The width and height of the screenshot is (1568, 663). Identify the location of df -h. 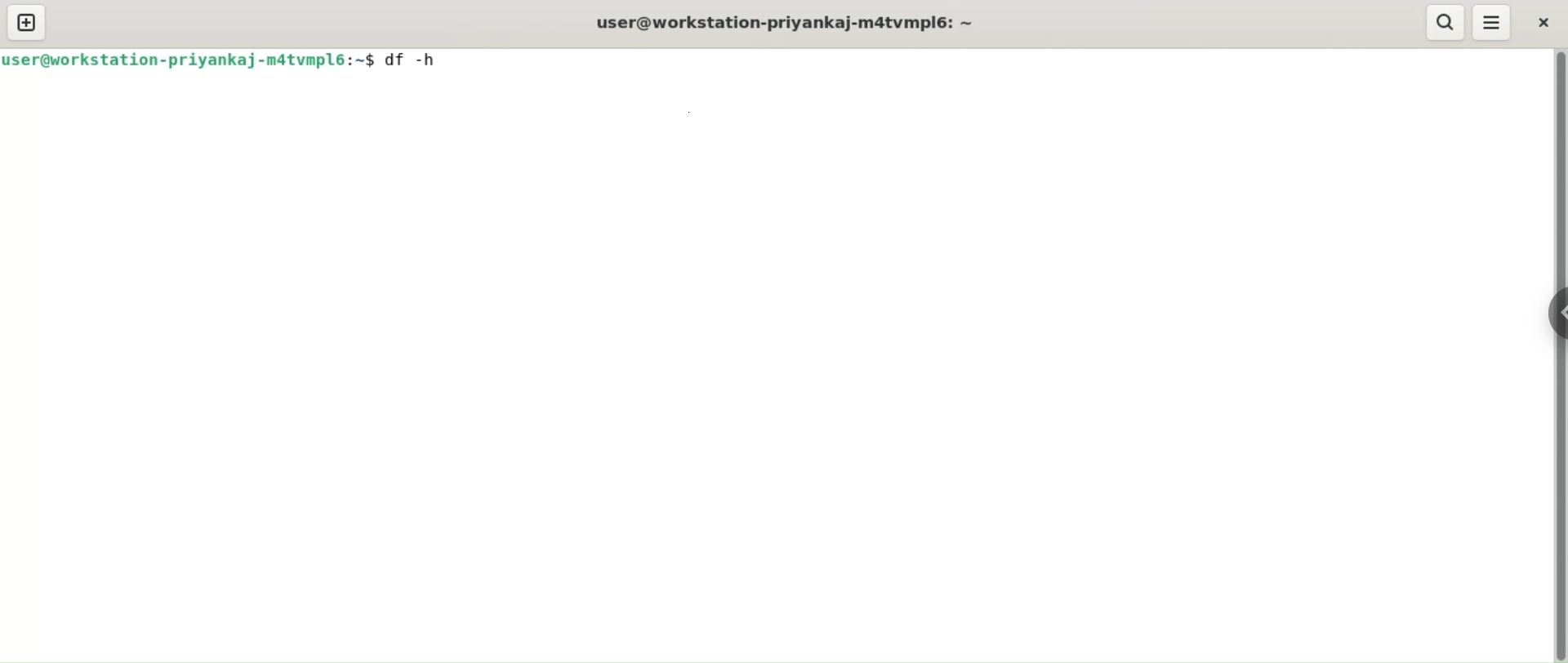
(414, 58).